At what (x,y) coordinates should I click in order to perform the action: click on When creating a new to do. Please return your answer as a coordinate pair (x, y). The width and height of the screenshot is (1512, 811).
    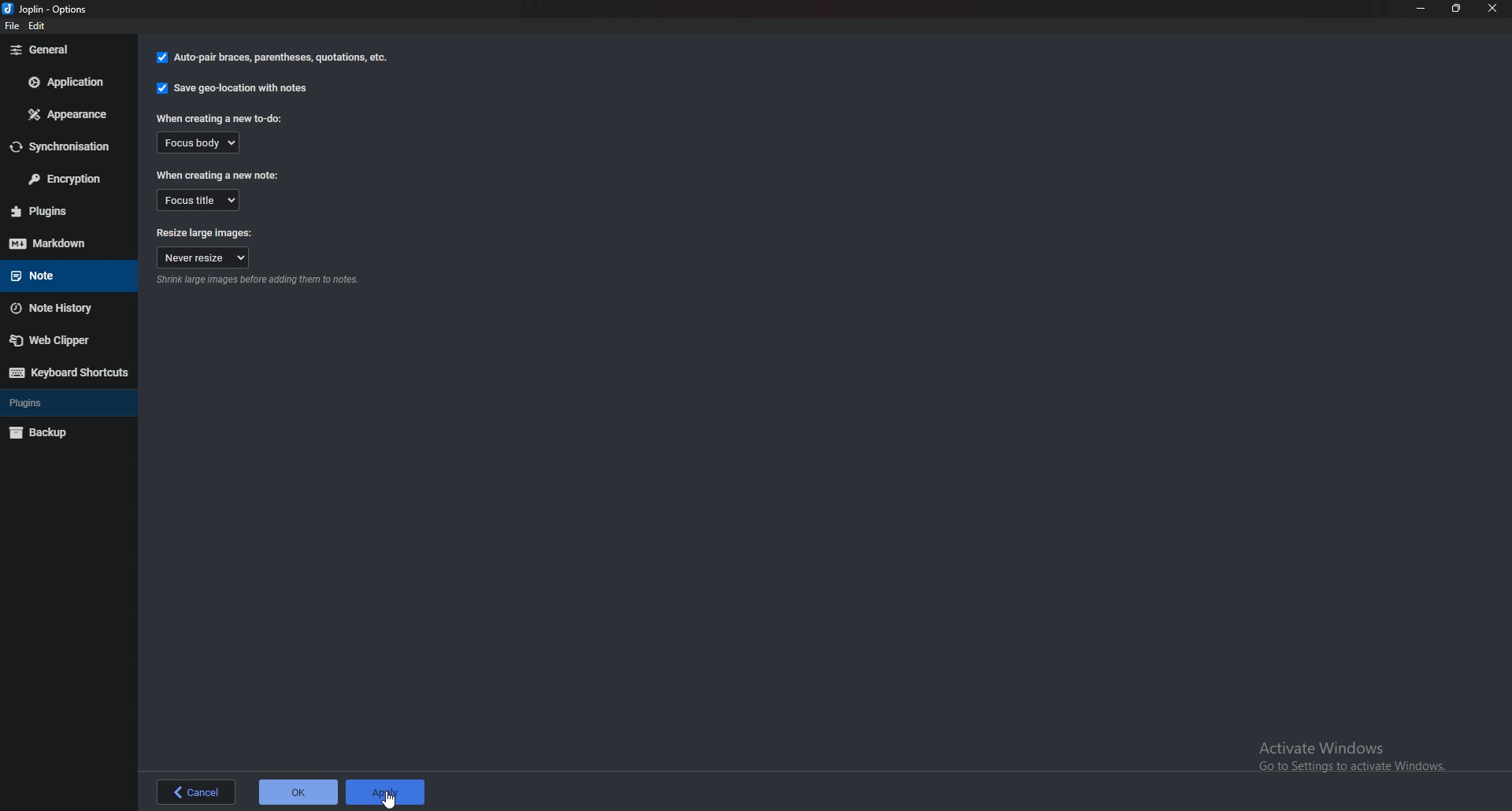
    Looking at the image, I should click on (220, 119).